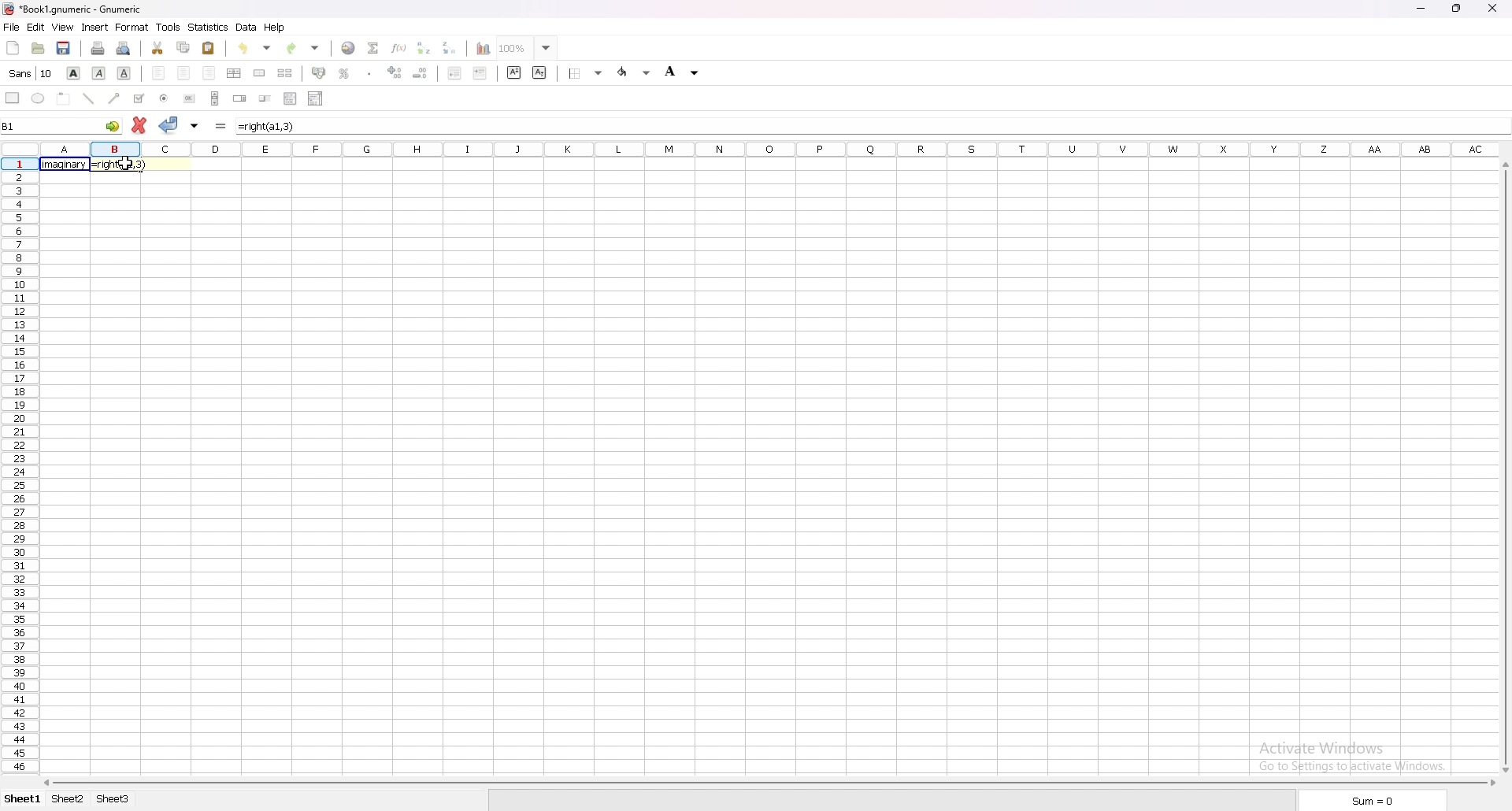 This screenshot has height=811, width=1512. Describe the element at coordinates (63, 98) in the screenshot. I see `frame` at that location.